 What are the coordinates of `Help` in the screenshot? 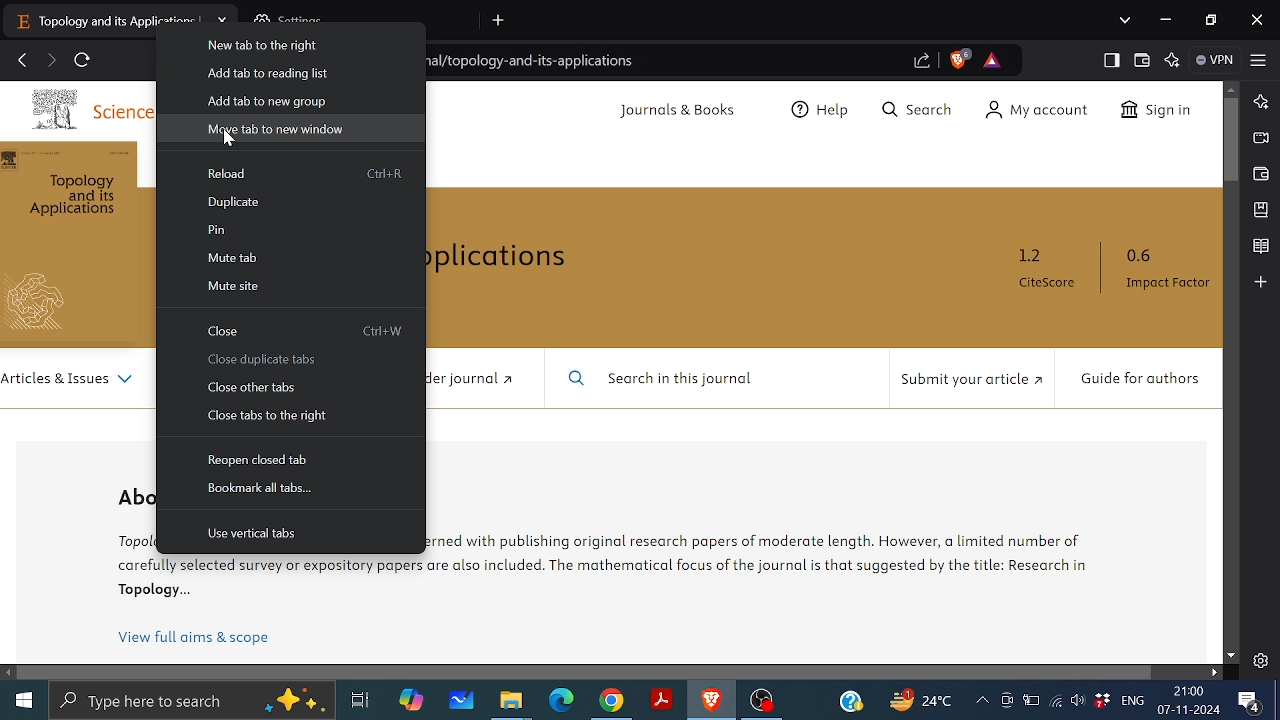 It's located at (853, 700).